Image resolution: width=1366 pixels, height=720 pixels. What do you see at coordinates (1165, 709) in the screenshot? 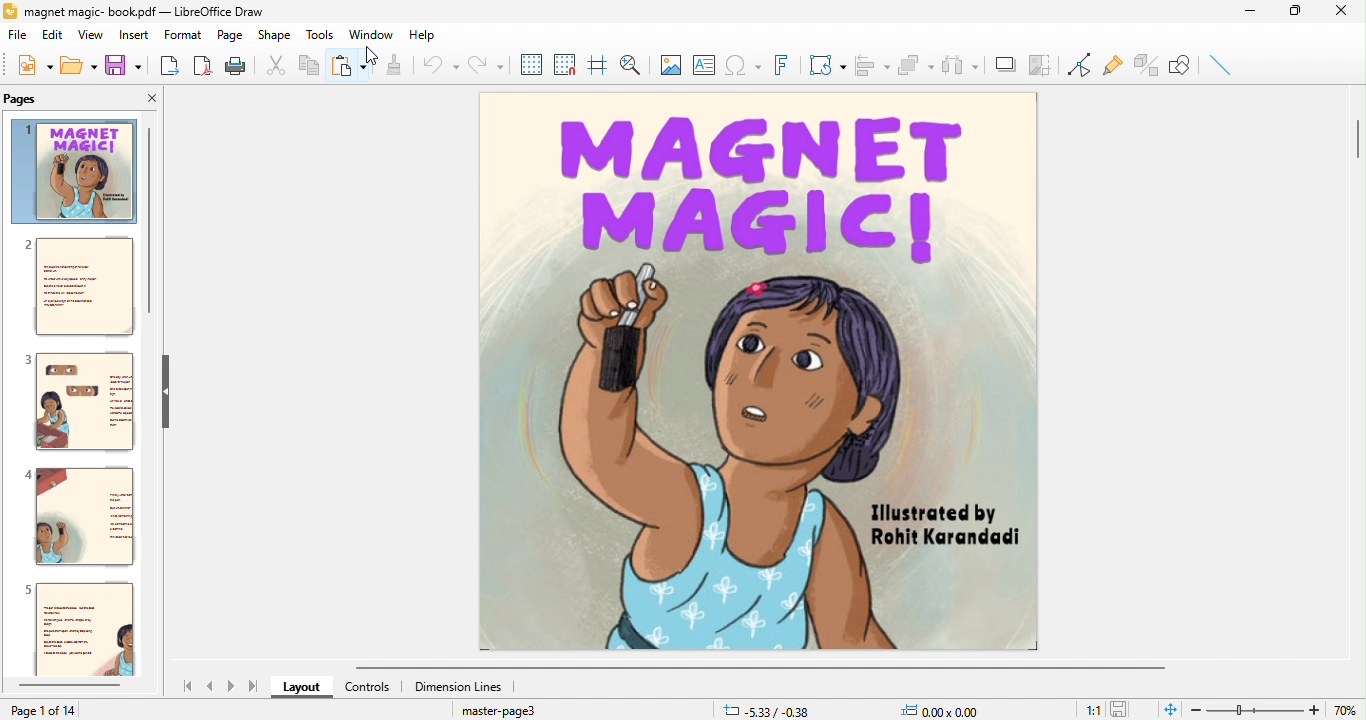
I see `fit to the current window` at bounding box center [1165, 709].